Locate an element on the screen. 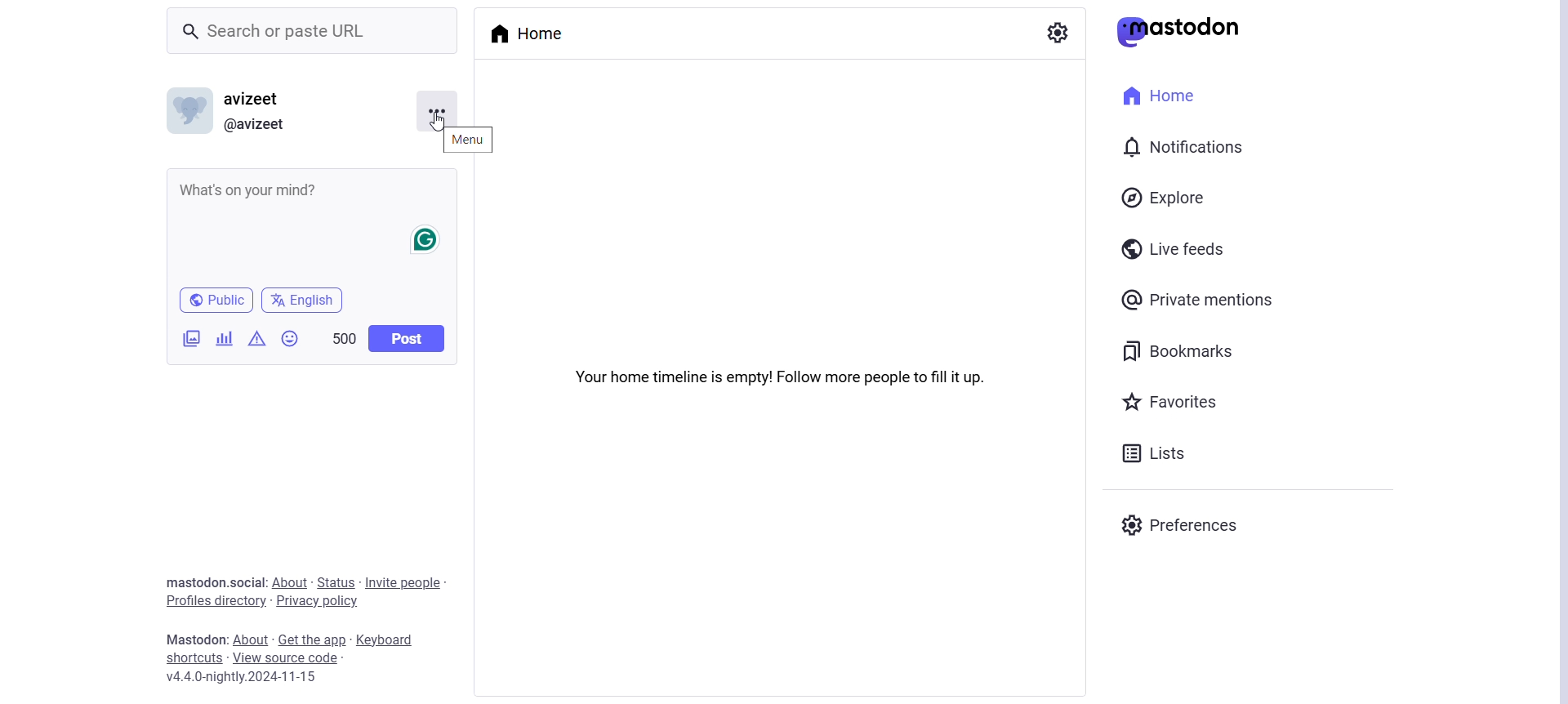  English is located at coordinates (305, 300).